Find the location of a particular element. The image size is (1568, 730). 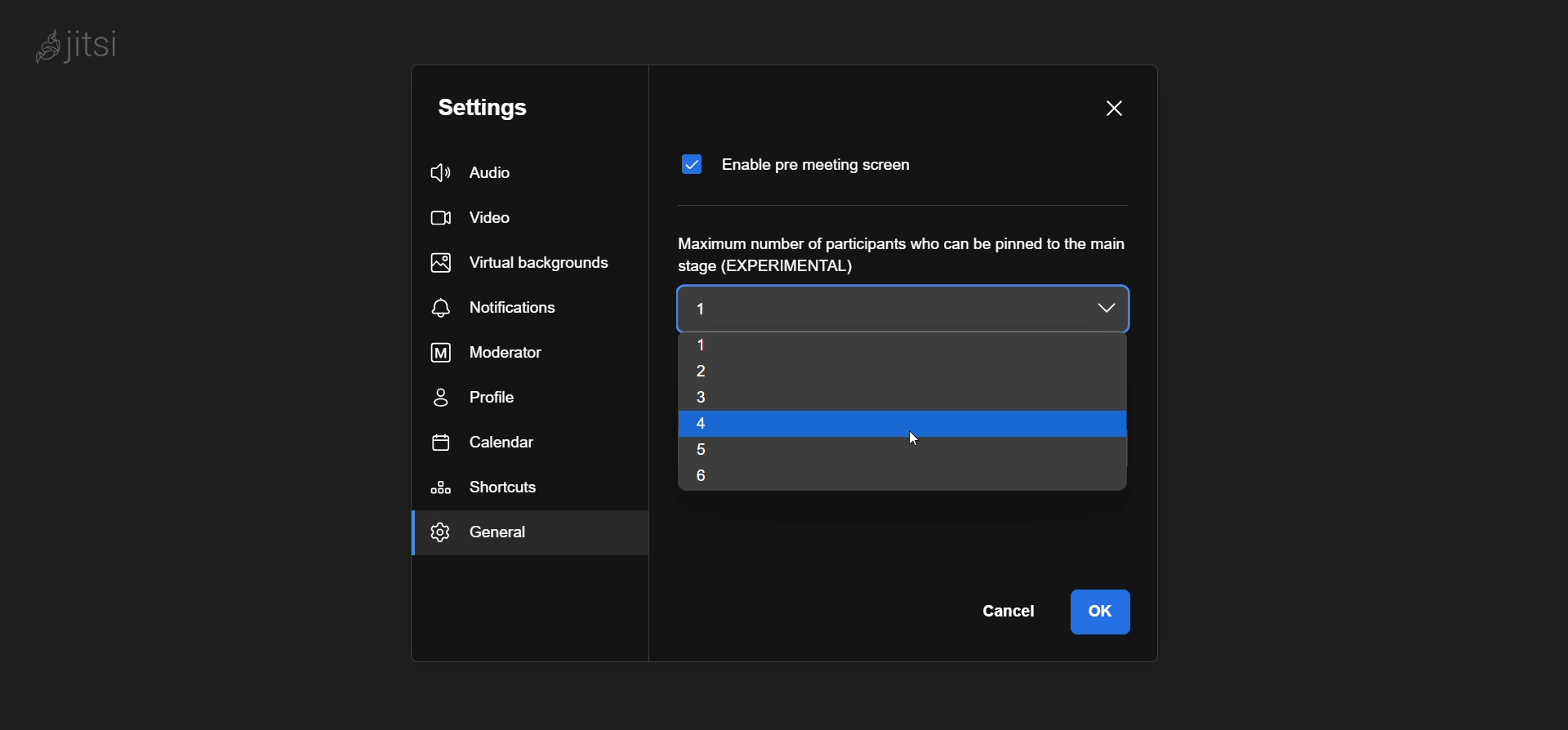

virtual background is located at coordinates (523, 260).